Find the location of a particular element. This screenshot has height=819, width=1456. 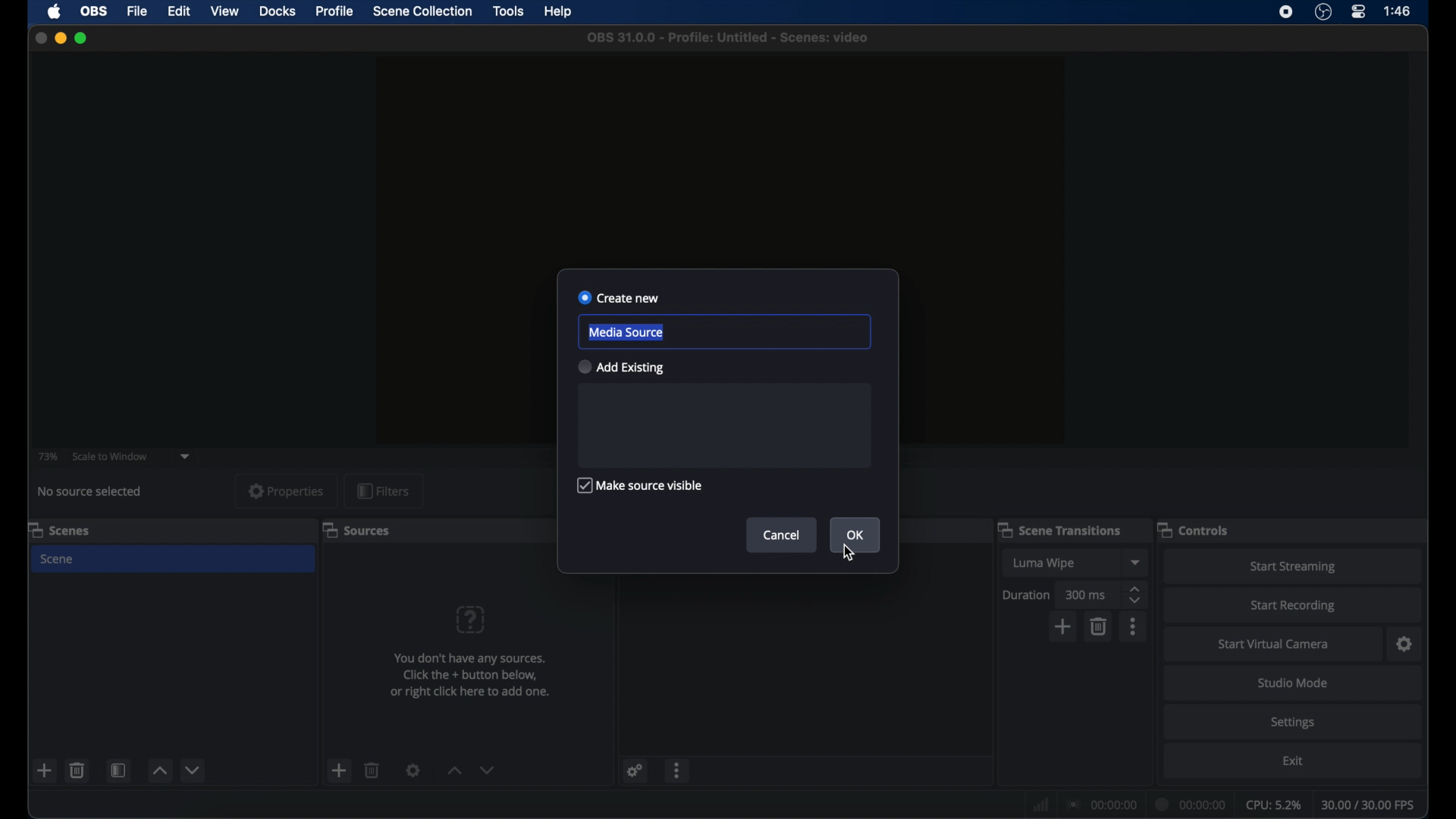

media source is located at coordinates (626, 332).